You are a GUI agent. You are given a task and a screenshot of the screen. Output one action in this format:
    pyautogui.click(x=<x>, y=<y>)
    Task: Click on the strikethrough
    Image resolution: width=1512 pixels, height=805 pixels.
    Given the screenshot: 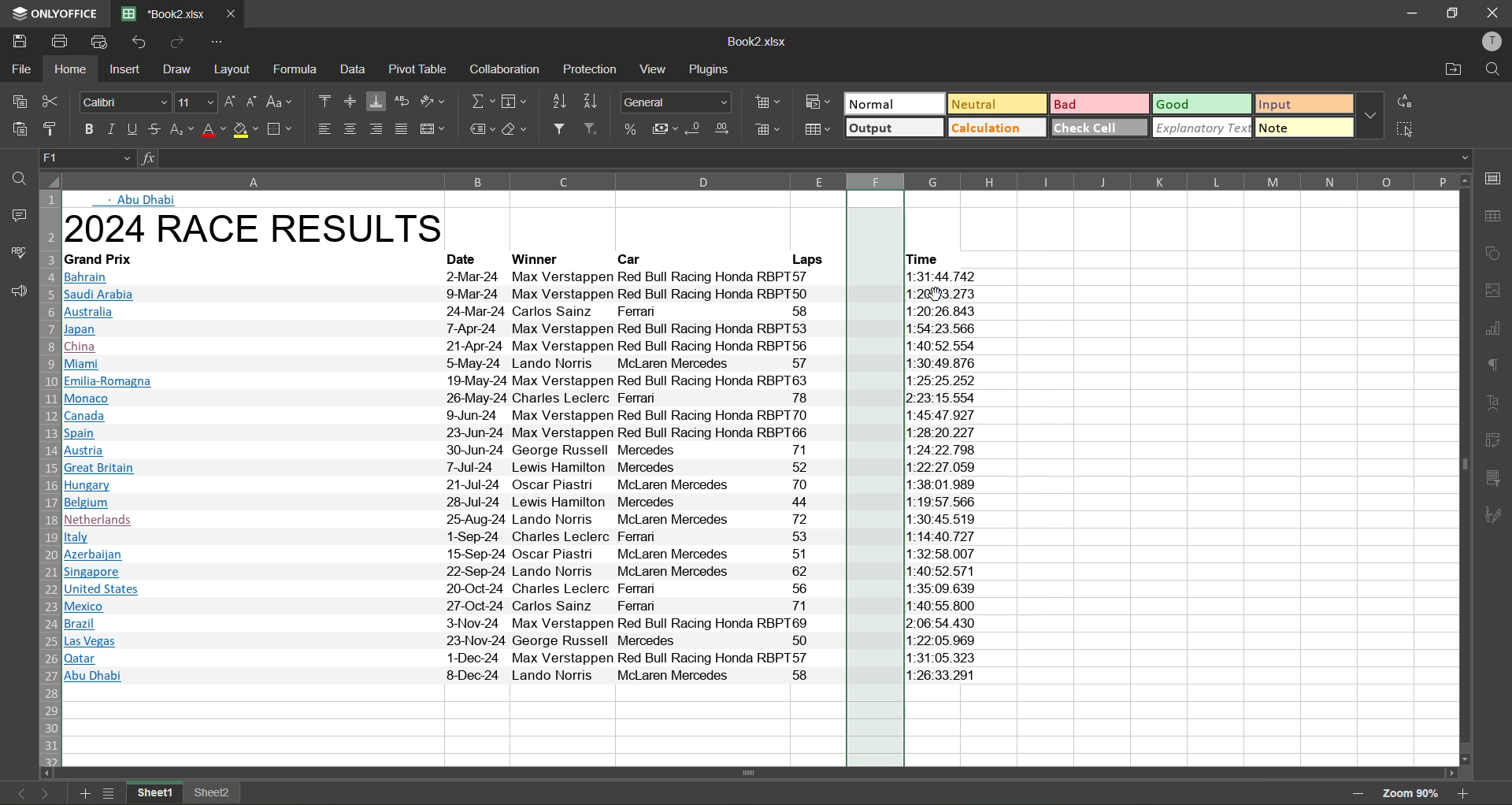 What is the action you would take?
    pyautogui.click(x=156, y=130)
    